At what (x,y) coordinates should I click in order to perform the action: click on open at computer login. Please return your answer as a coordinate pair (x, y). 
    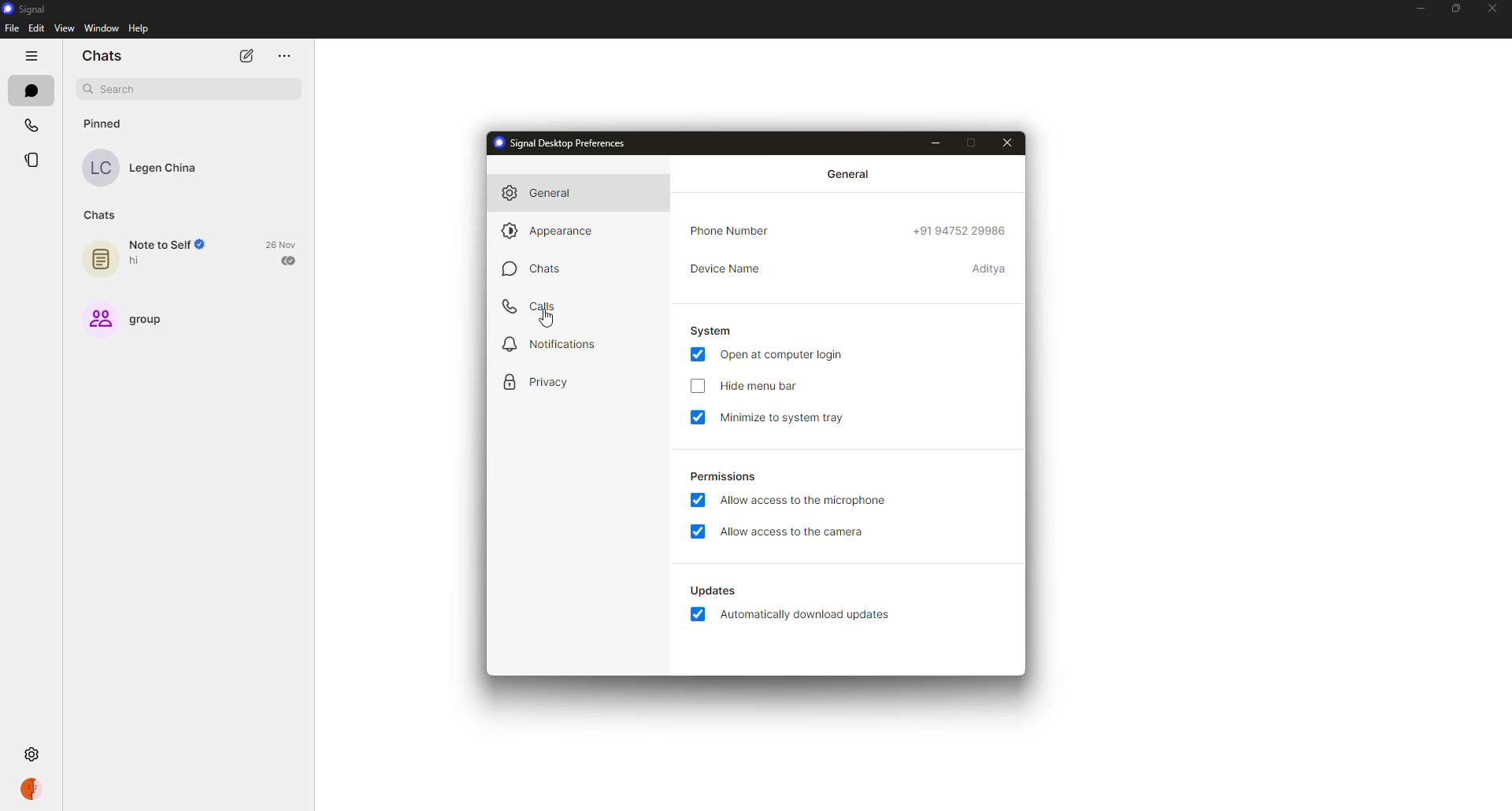
    Looking at the image, I should click on (785, 354).